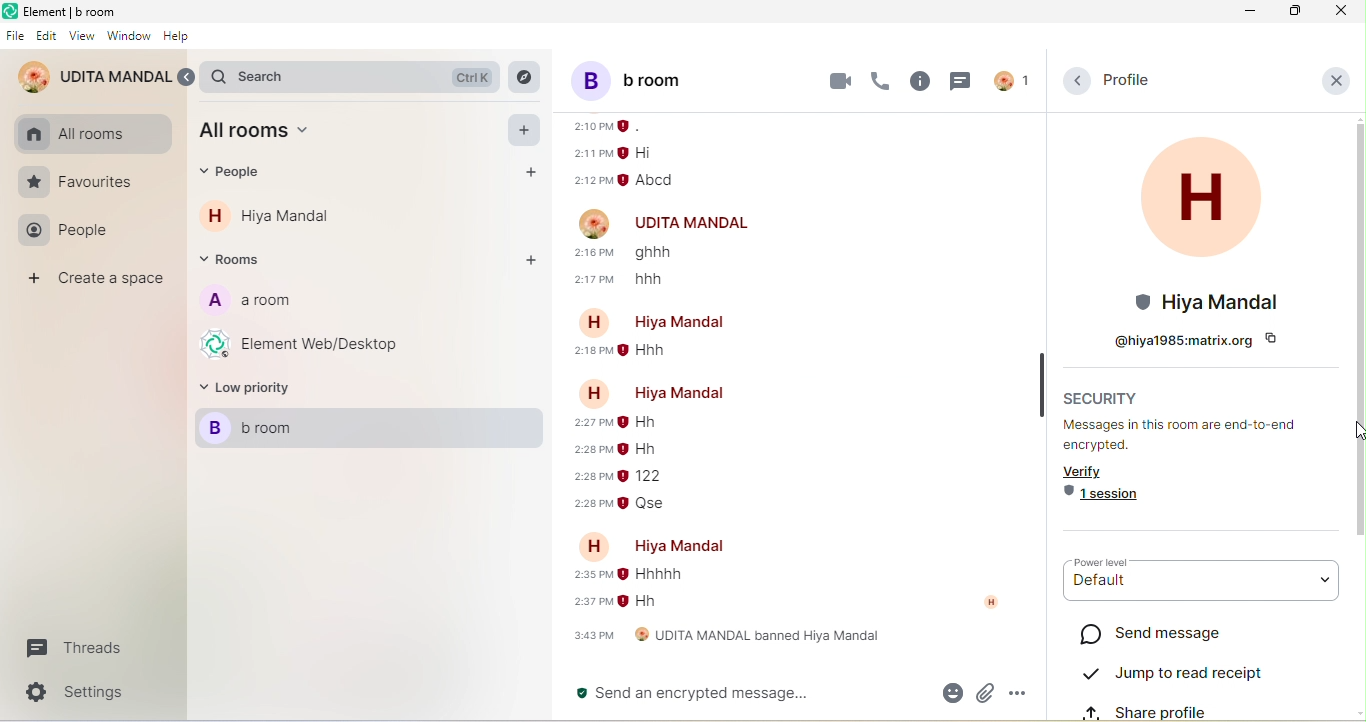  I want to click on hi message , so click(649, 154).